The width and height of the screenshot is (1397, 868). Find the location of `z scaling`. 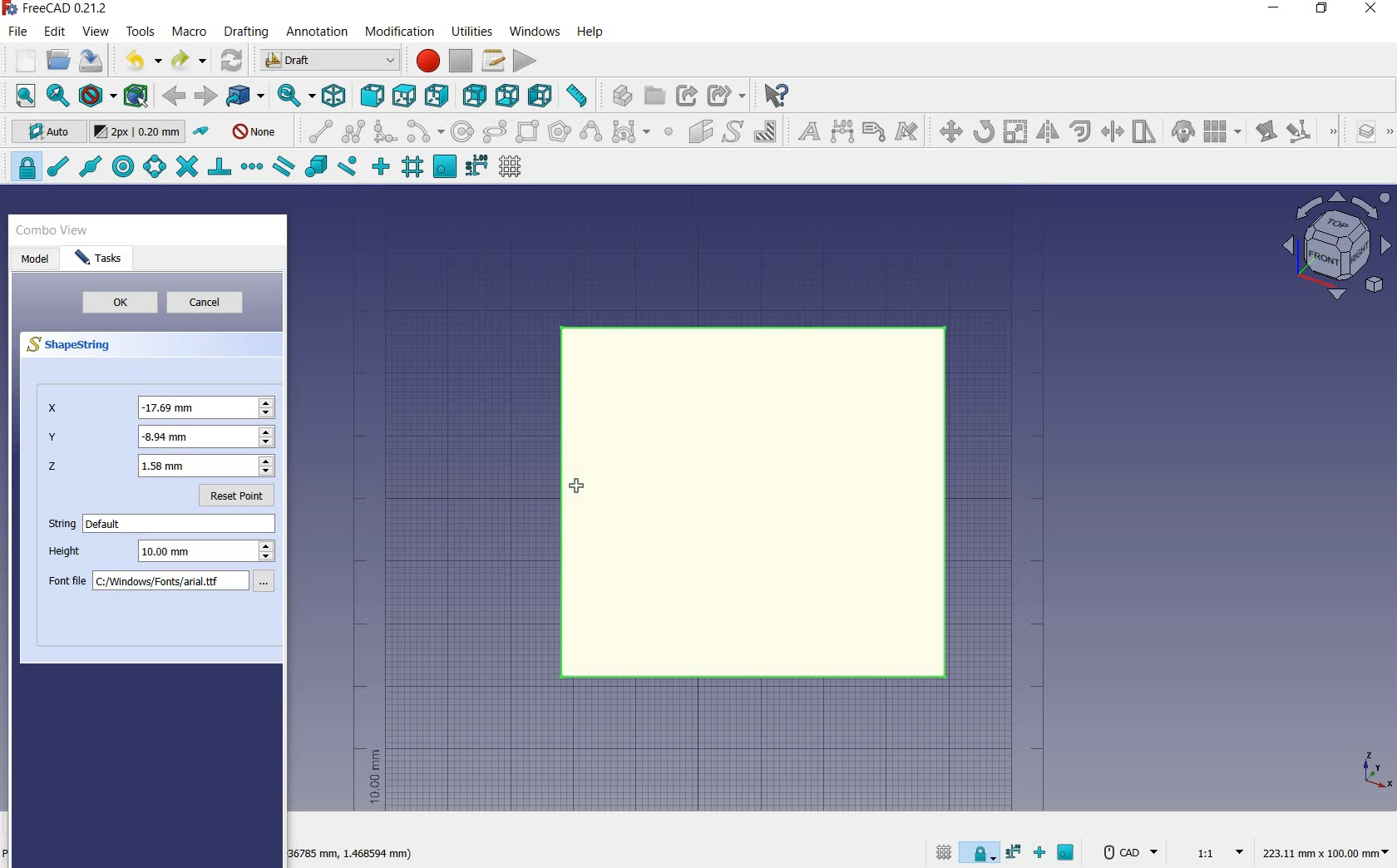

z scaling is located at coordinates (160, 468).